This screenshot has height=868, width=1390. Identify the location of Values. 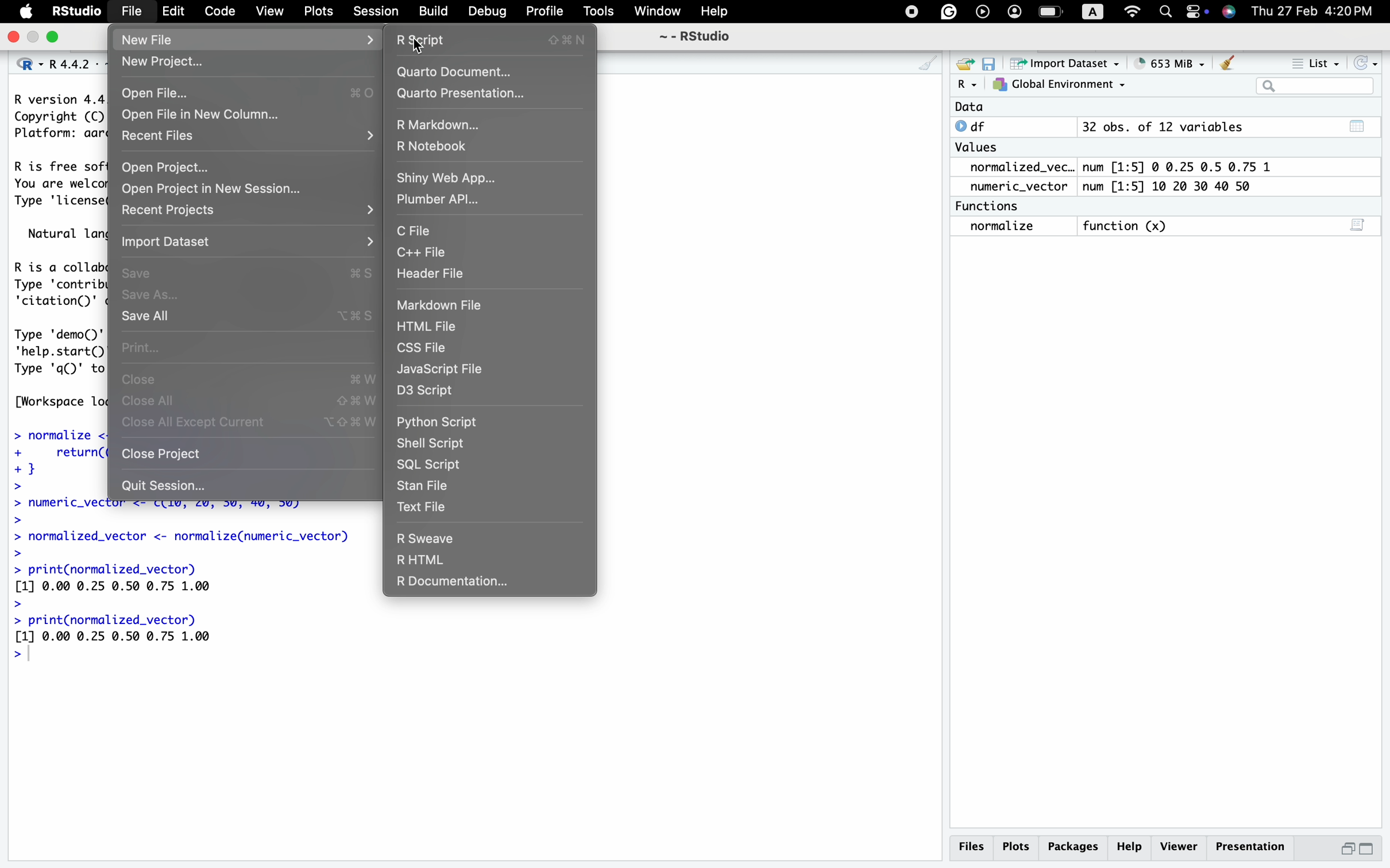
(976, 150).